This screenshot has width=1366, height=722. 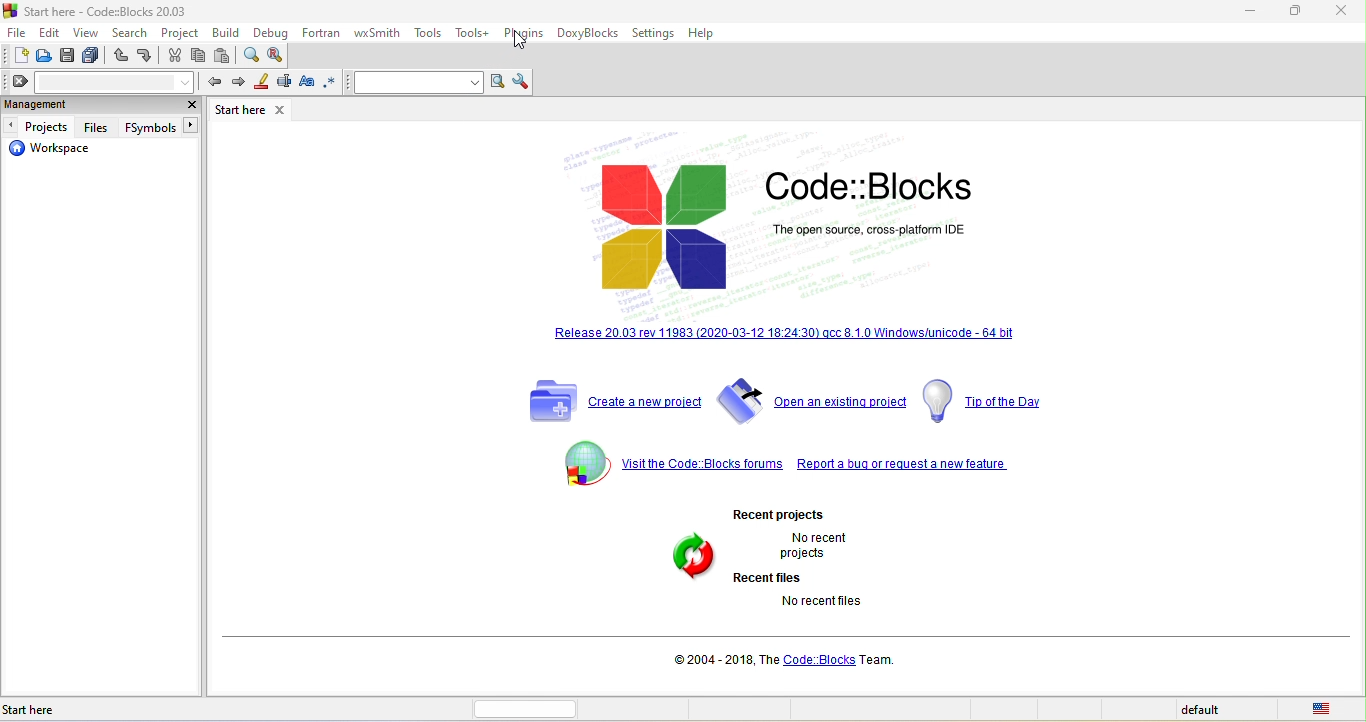 What do you see at coordinates (498, 83) in the screenshot?
I see `run search` at bounding box center [498, 83].